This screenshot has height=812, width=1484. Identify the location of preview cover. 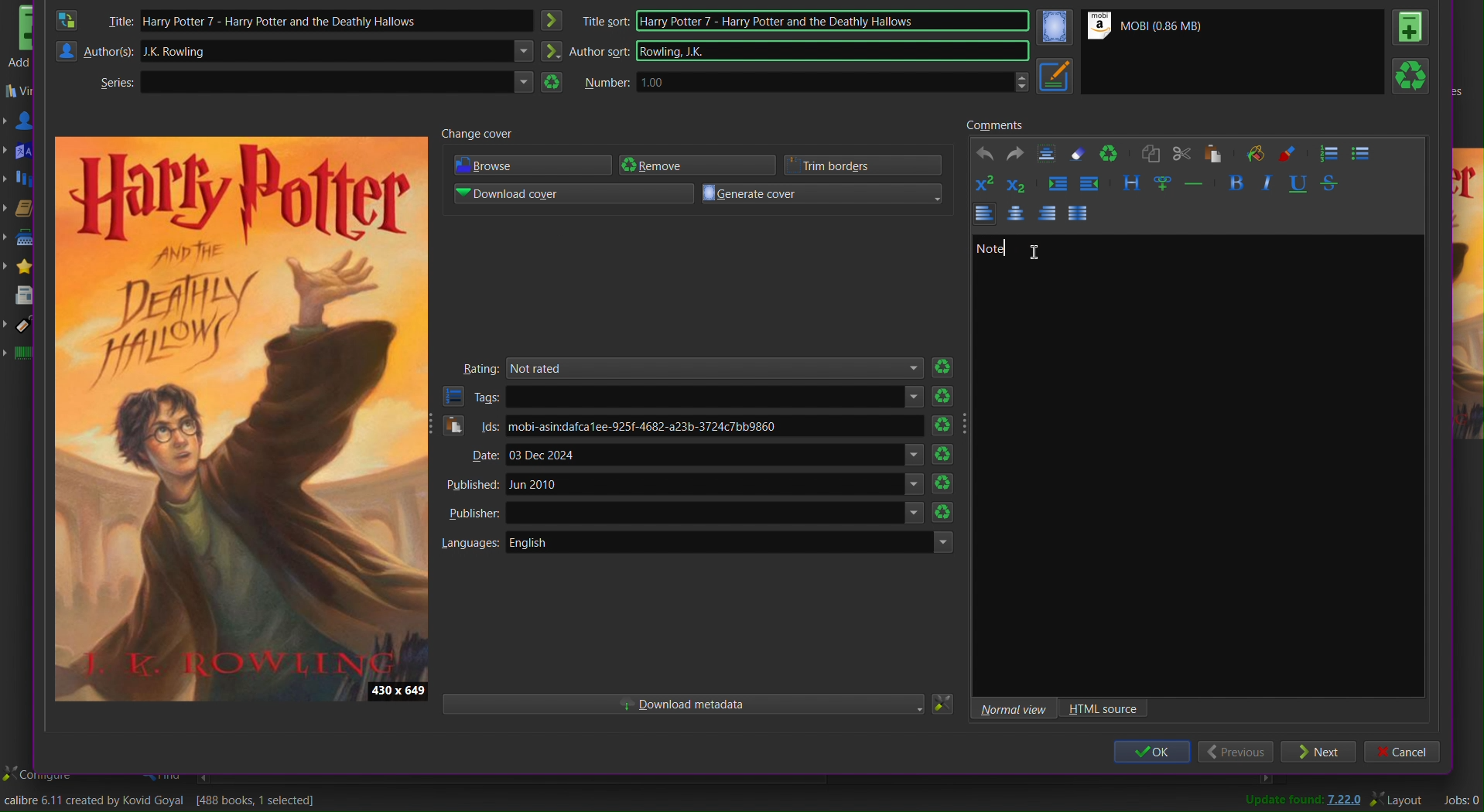
(1467, 298).